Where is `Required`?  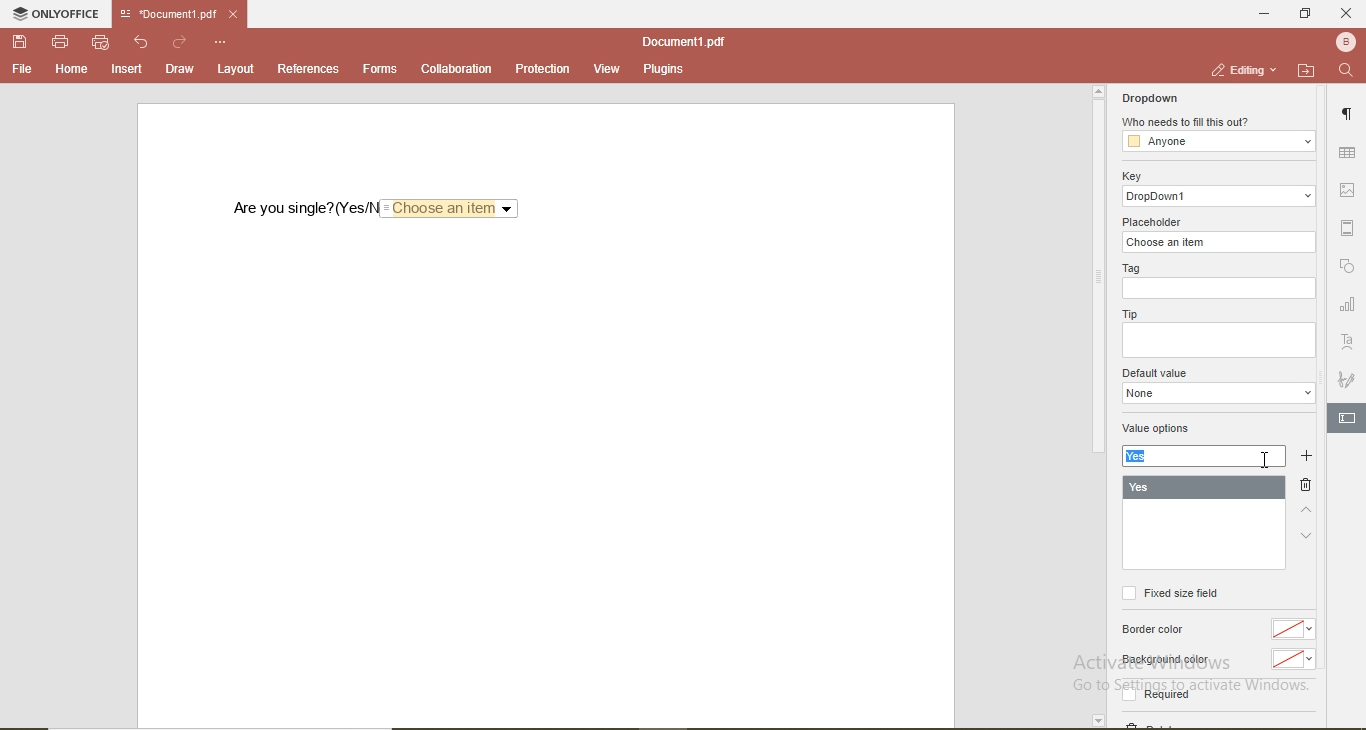 Required is located at coordinates (1158, 694).